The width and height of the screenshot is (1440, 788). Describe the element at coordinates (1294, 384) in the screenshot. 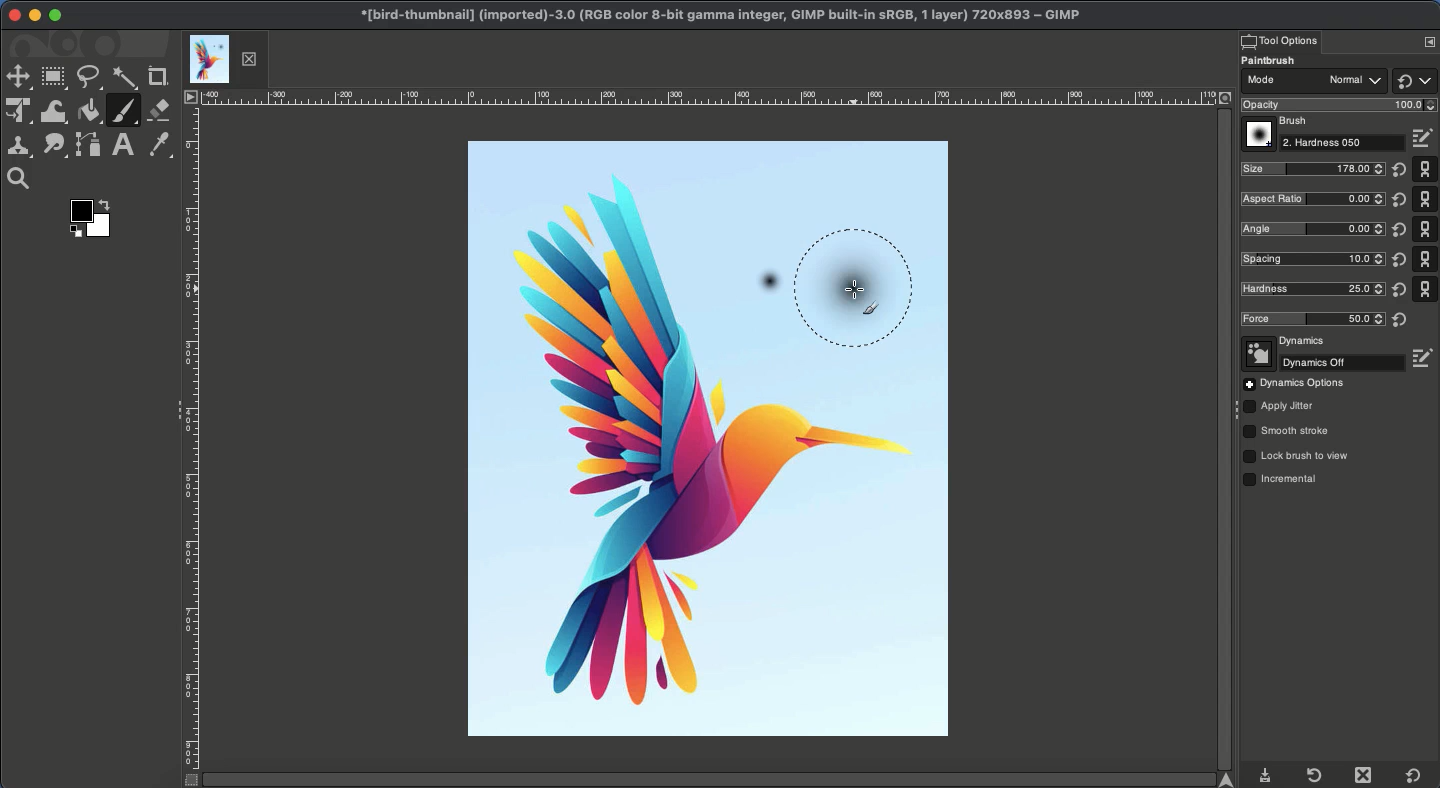

I see `Options` at that location.